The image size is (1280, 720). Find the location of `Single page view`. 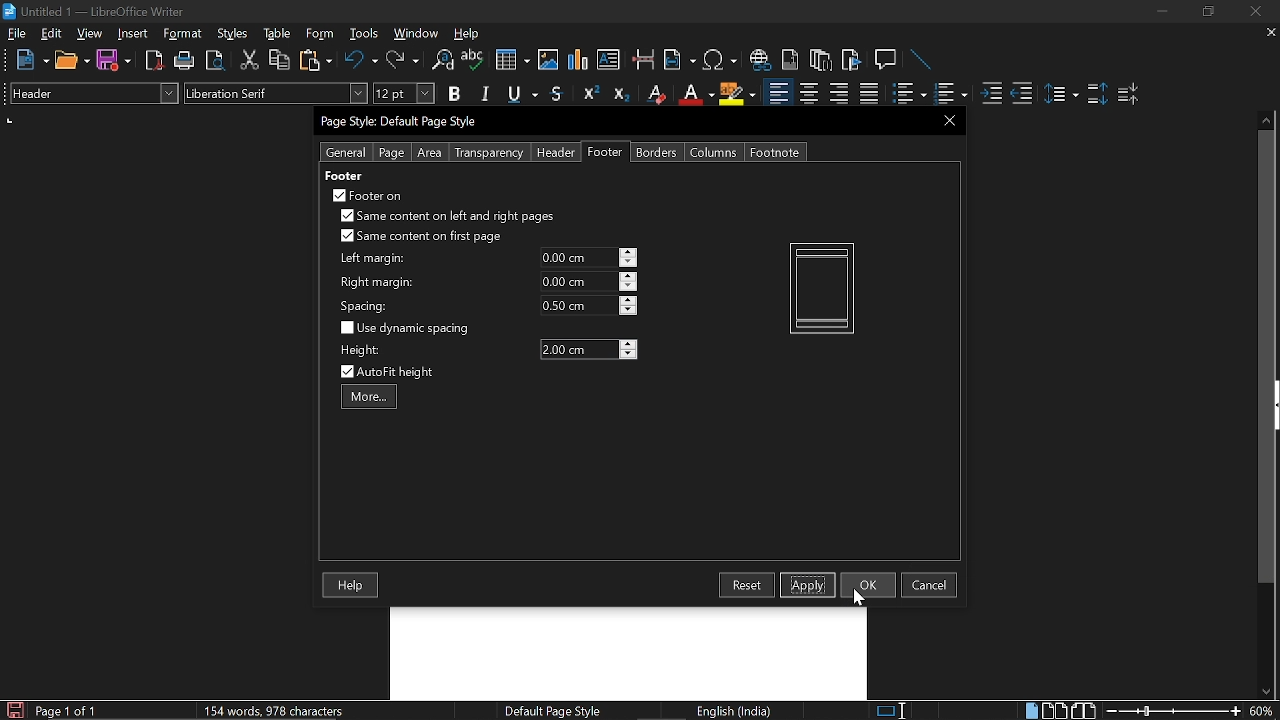

Single page view is located at coordinates (1031, 710).